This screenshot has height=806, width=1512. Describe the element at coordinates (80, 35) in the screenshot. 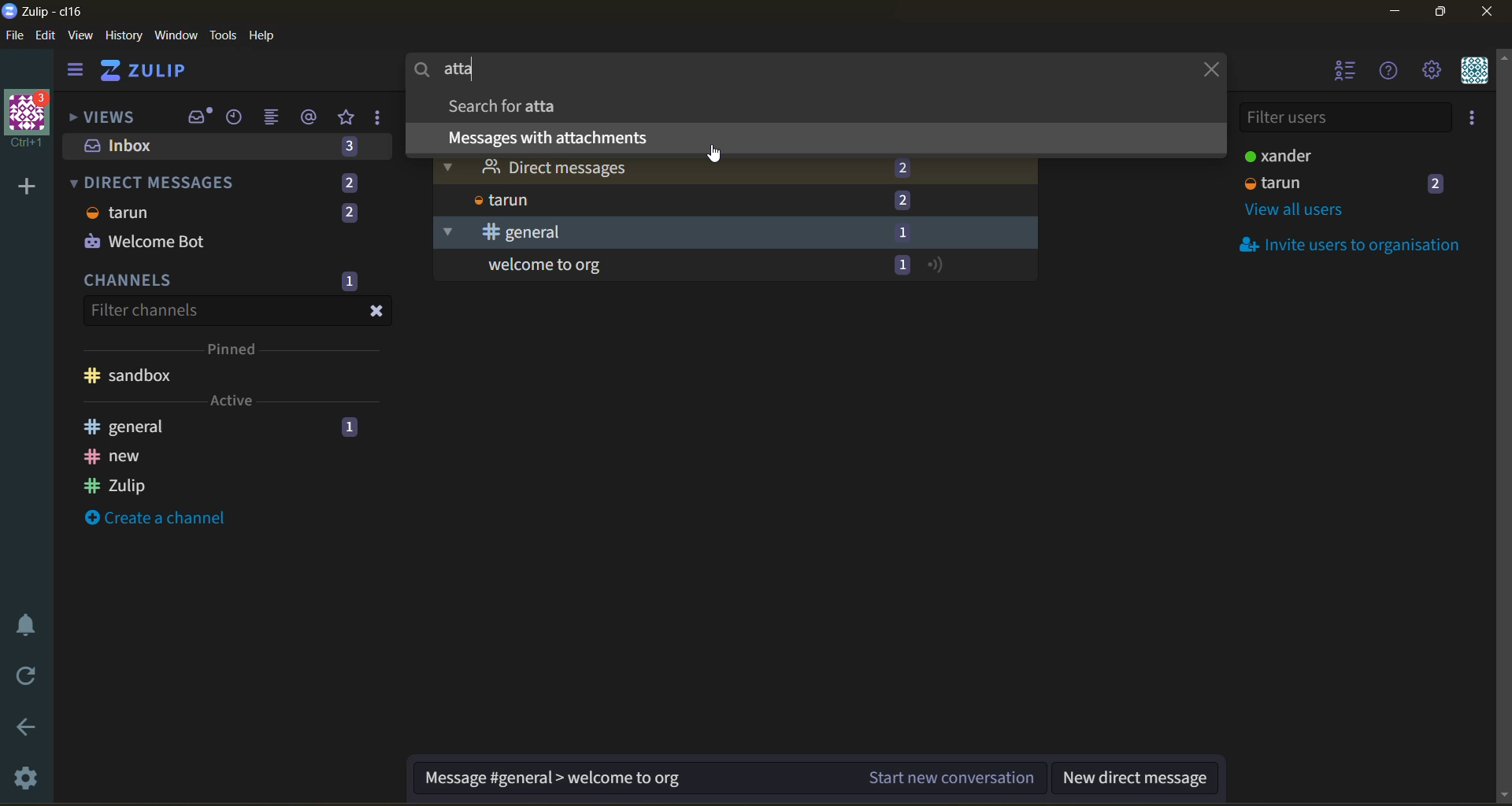

I see `view` at that location.